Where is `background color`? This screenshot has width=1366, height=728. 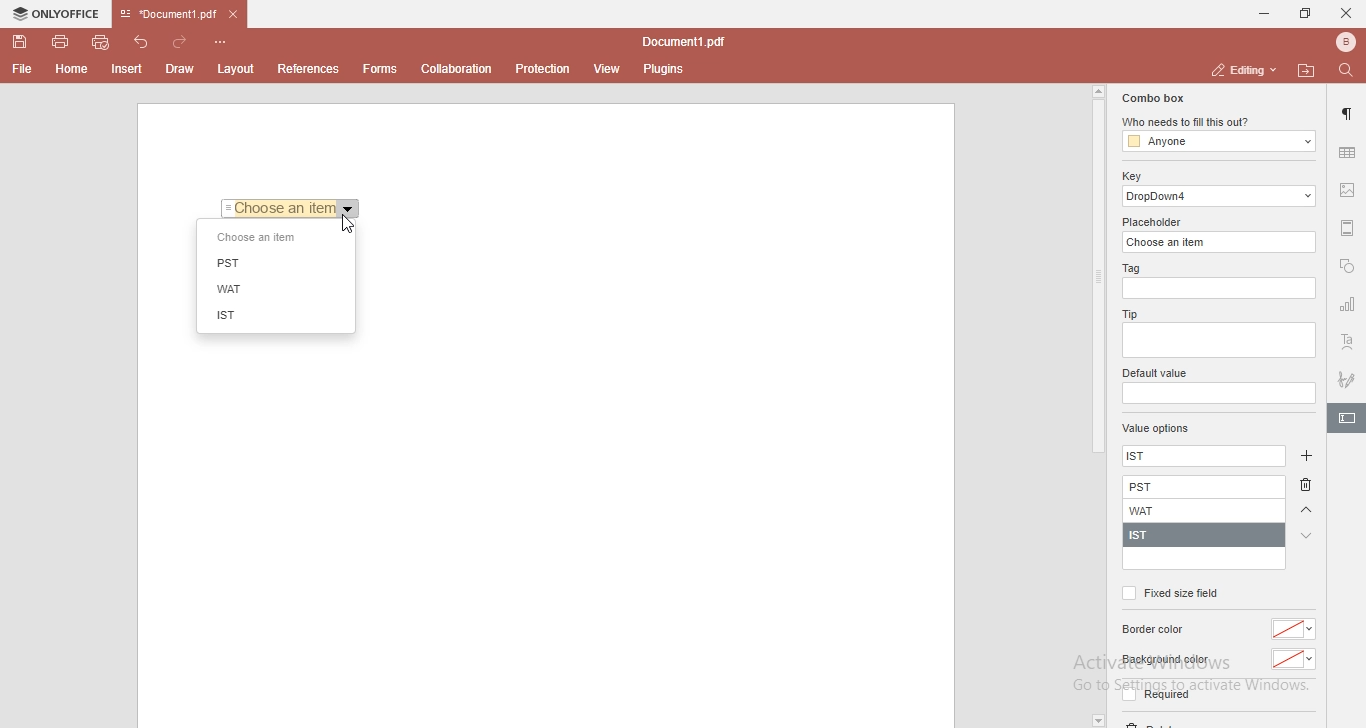 background color is located at coordinates (1164, 660).